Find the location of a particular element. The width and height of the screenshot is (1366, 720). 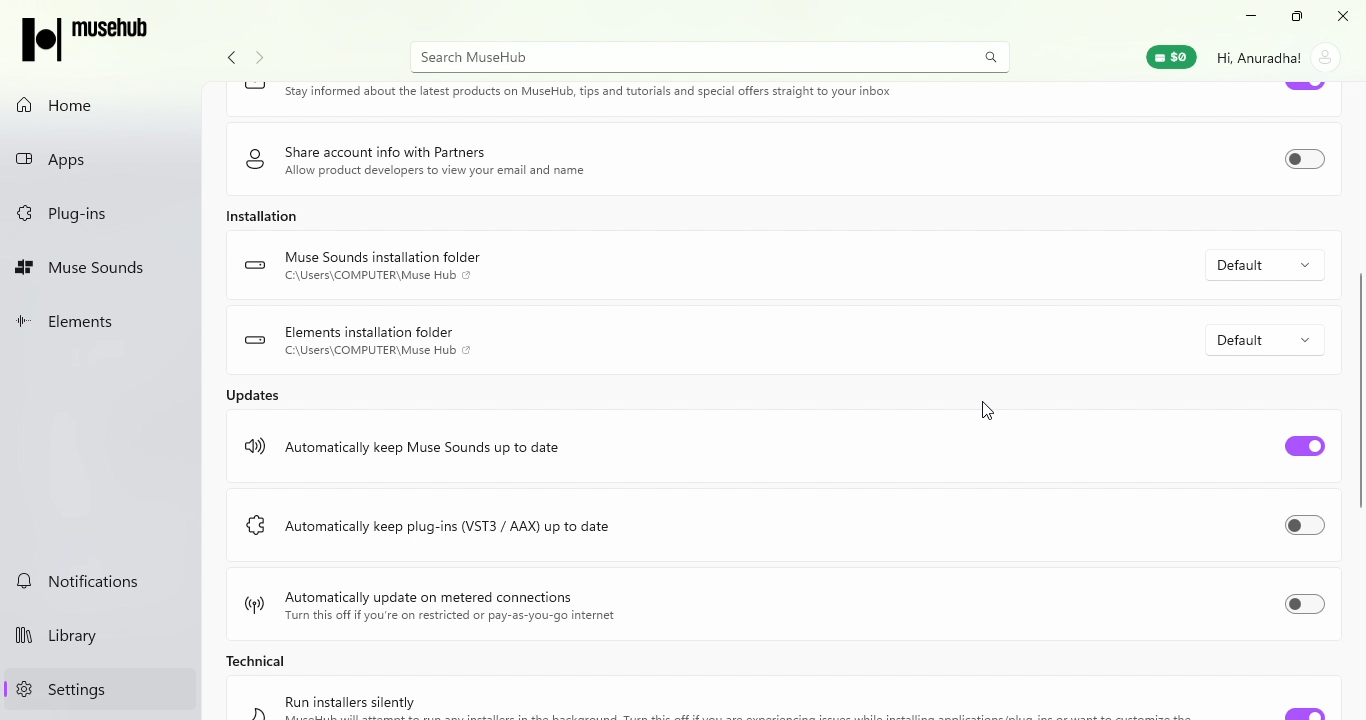

Keep in touch Stay informed about the latest products on MuseHub, tips and tutorials and special offers straight to your inbox is located at coordinates (592, 93).